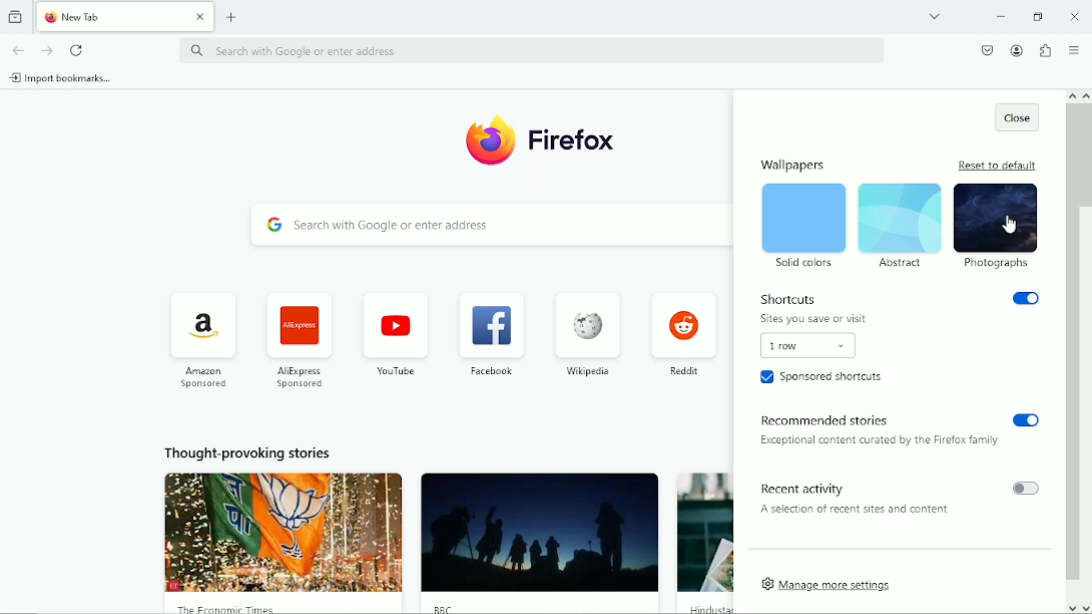 Image resolution: width=1092 pixels, height=614 pixels. Describe the element at coordinates (810, 346) in the screenshot. I see `1 row` at that location.